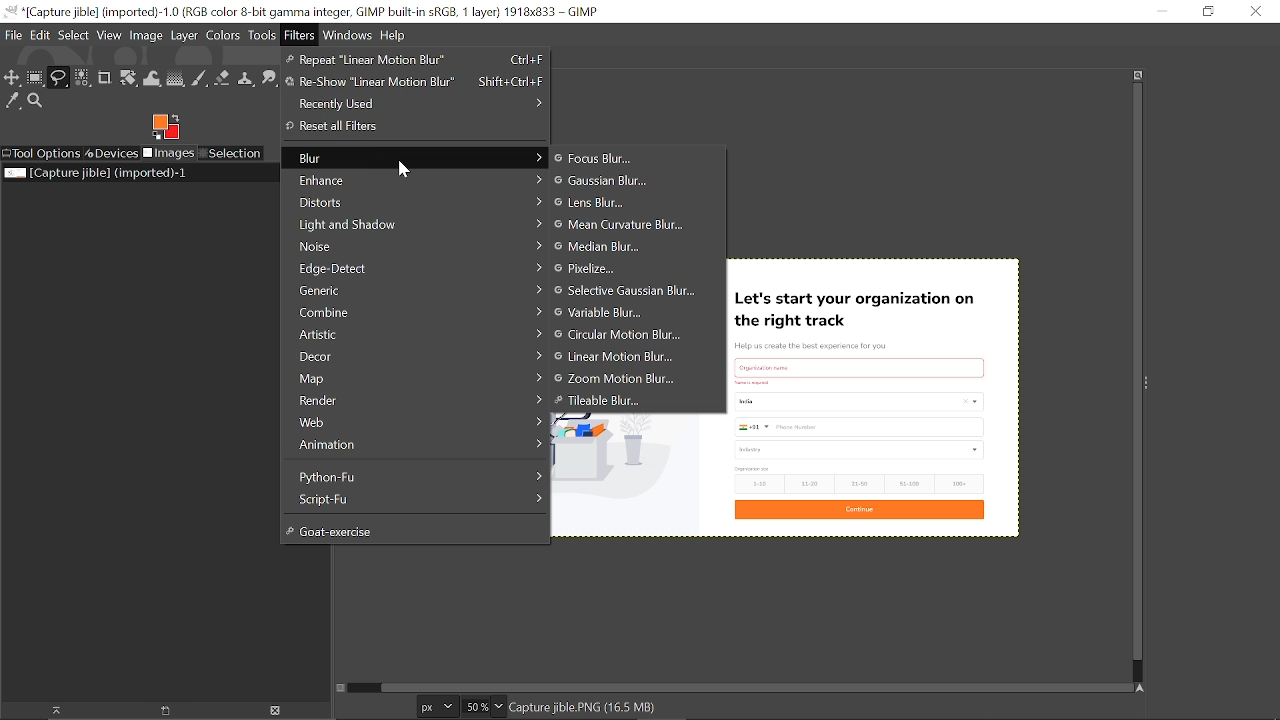 The height and width of the screenshot is (720, 1280). I want to click on Enhance, so click(416, 179).